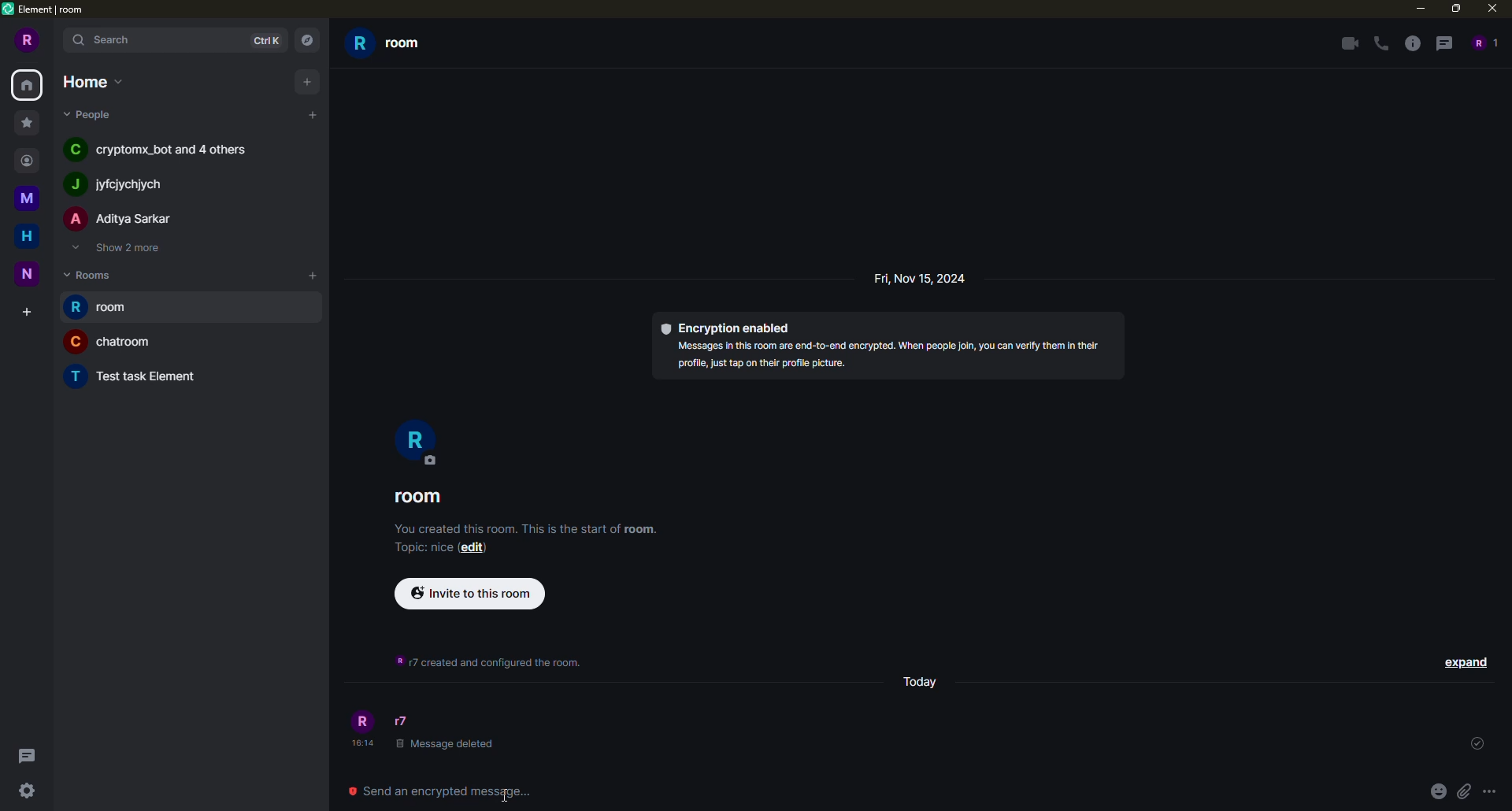 The width and height of the screenshot is (1512, 811). I want to click on profile, so click(362, 720).